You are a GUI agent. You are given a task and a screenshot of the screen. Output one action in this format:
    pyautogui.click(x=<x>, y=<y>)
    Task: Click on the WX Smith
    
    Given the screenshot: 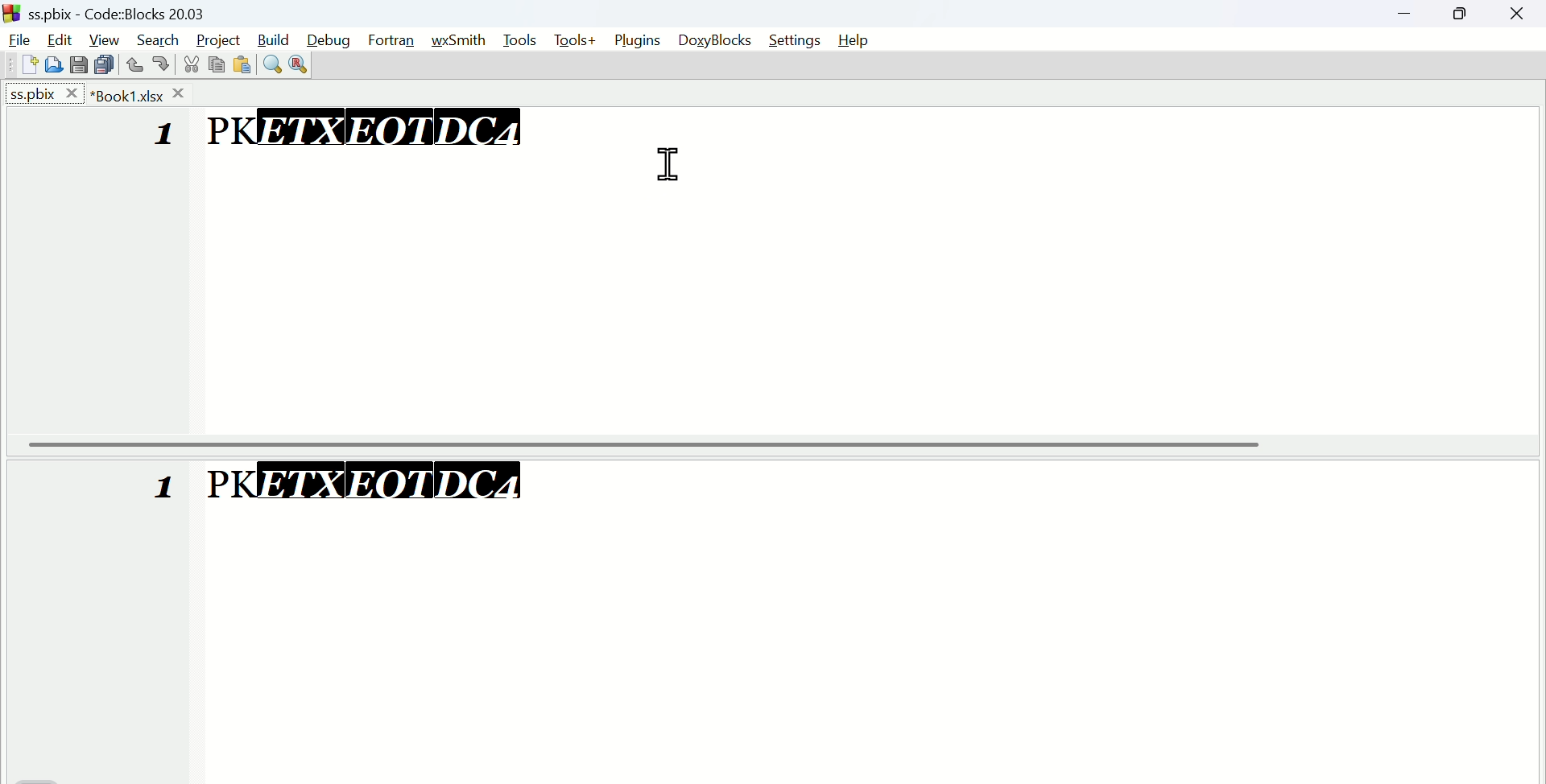 What is the action you would take?
    pyautogui.click(x=465, y=38)
    